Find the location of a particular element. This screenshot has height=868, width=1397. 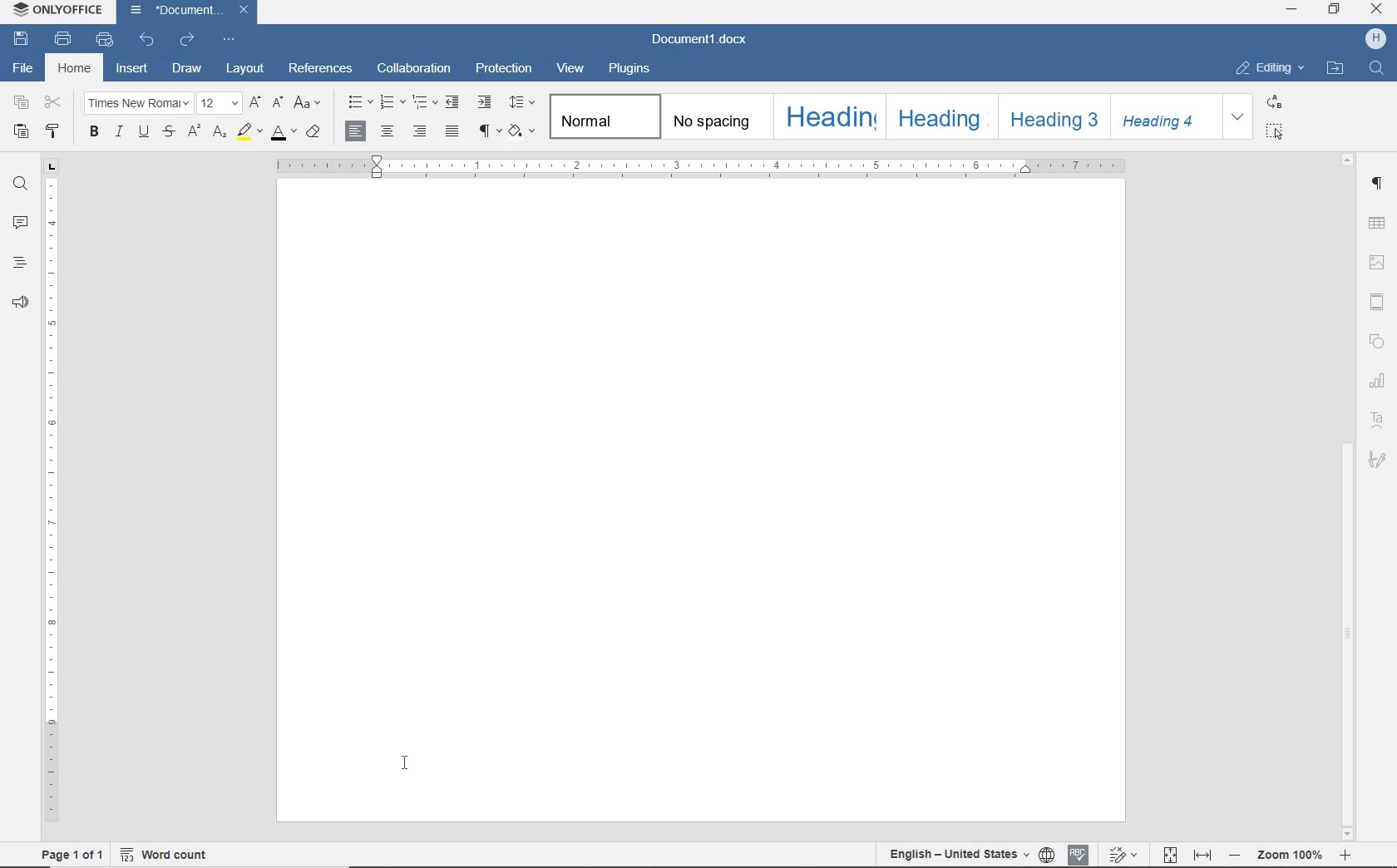

PASTE is located at coordinates (20, 133).